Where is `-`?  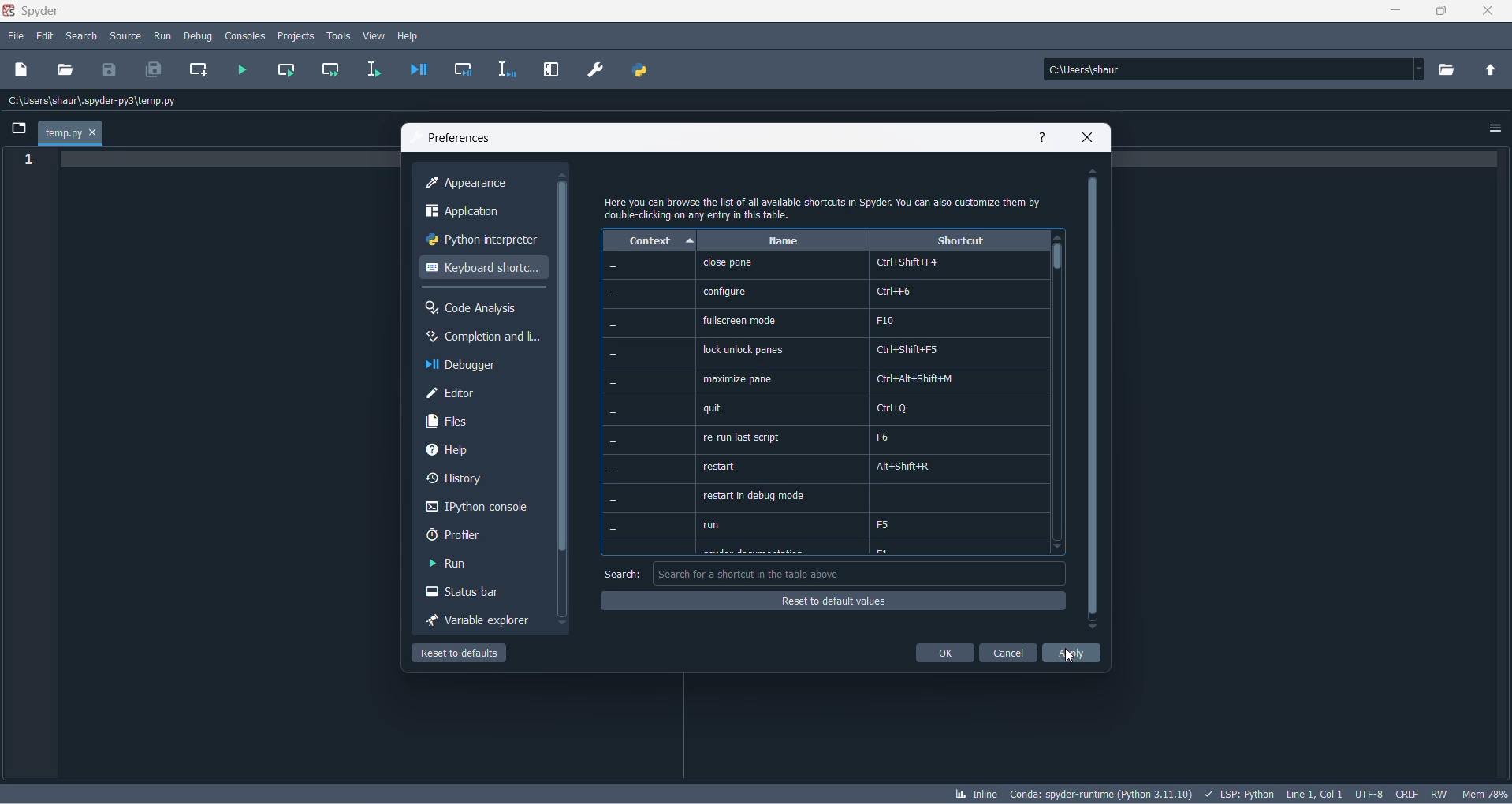 - is located at coordinates (612, 383).